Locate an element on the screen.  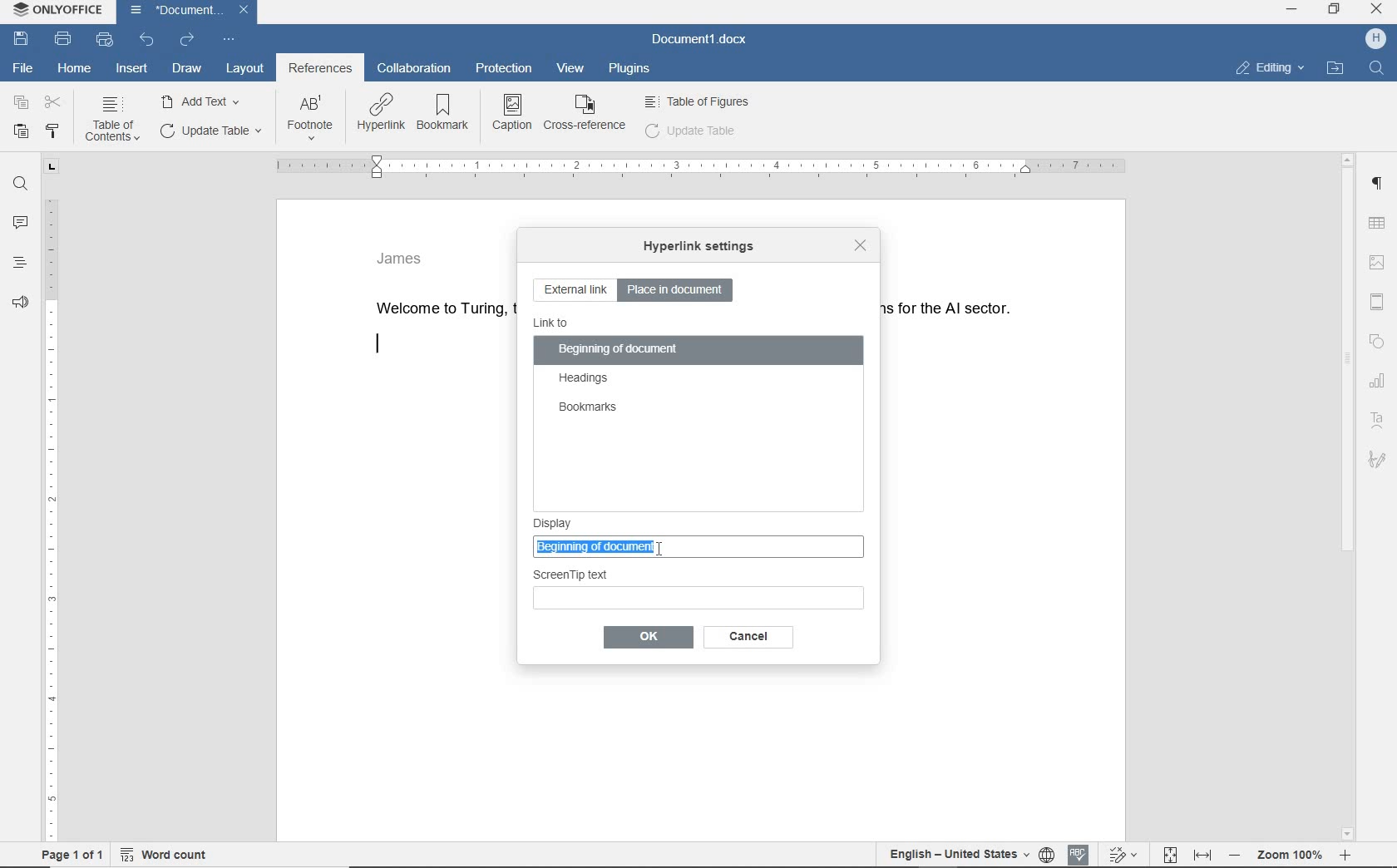
wordcount is located at coordinates (168, 855).